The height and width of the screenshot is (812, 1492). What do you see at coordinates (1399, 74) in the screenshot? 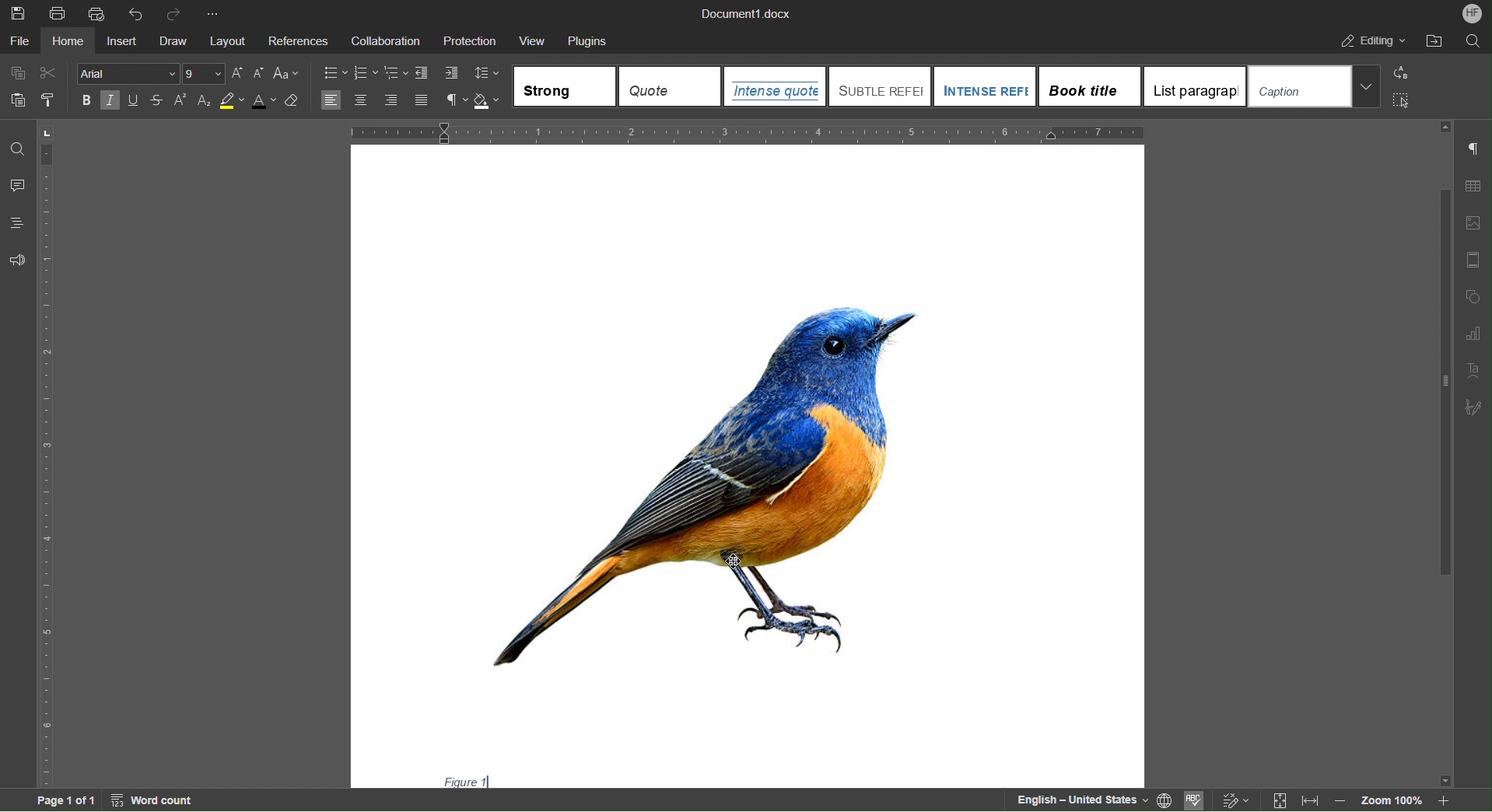
I see `Replace` at bounding box center [1399, 74].